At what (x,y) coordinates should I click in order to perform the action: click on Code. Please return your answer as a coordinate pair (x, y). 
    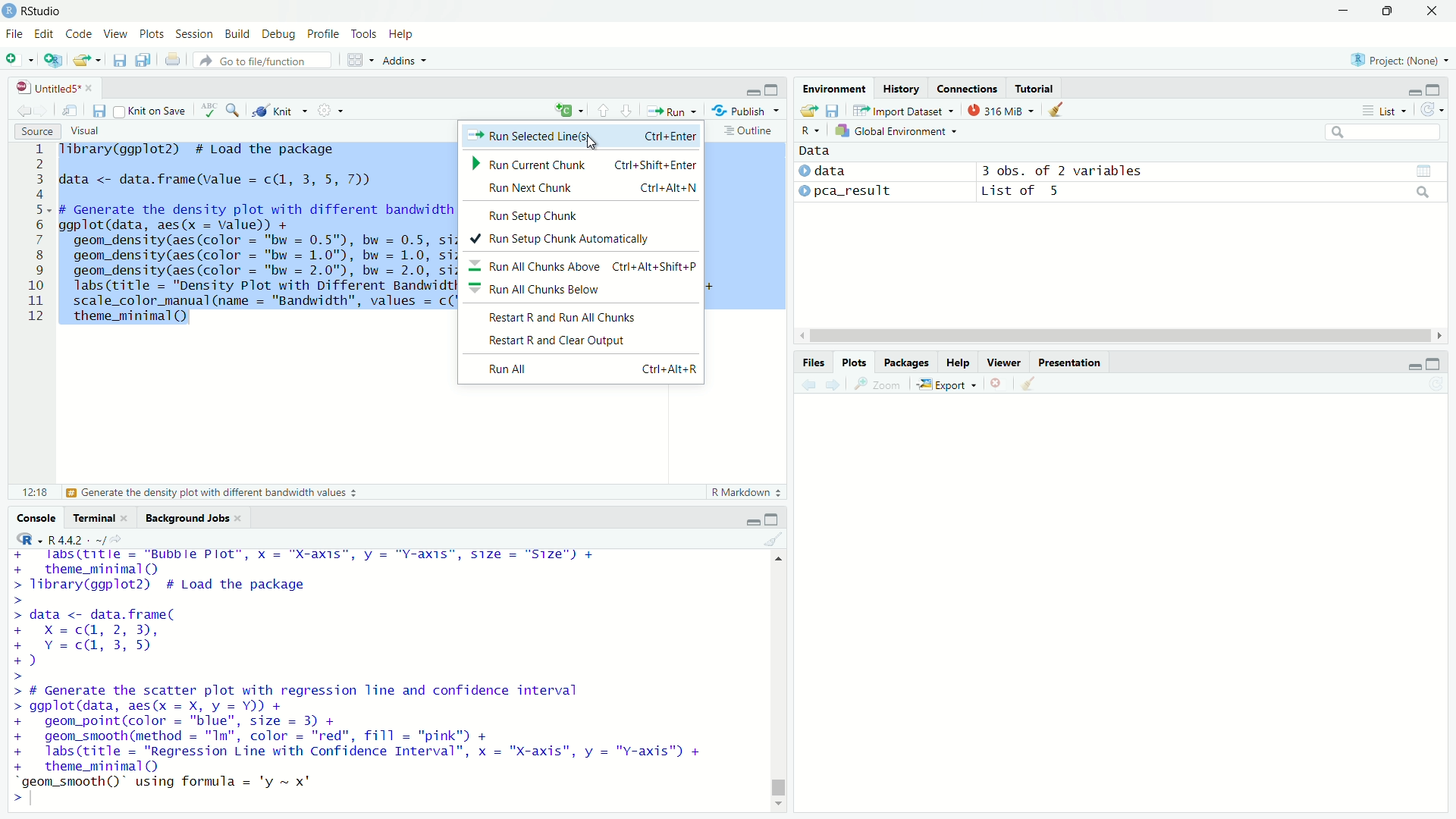
    Looking at the image, I should click on (77, 33).